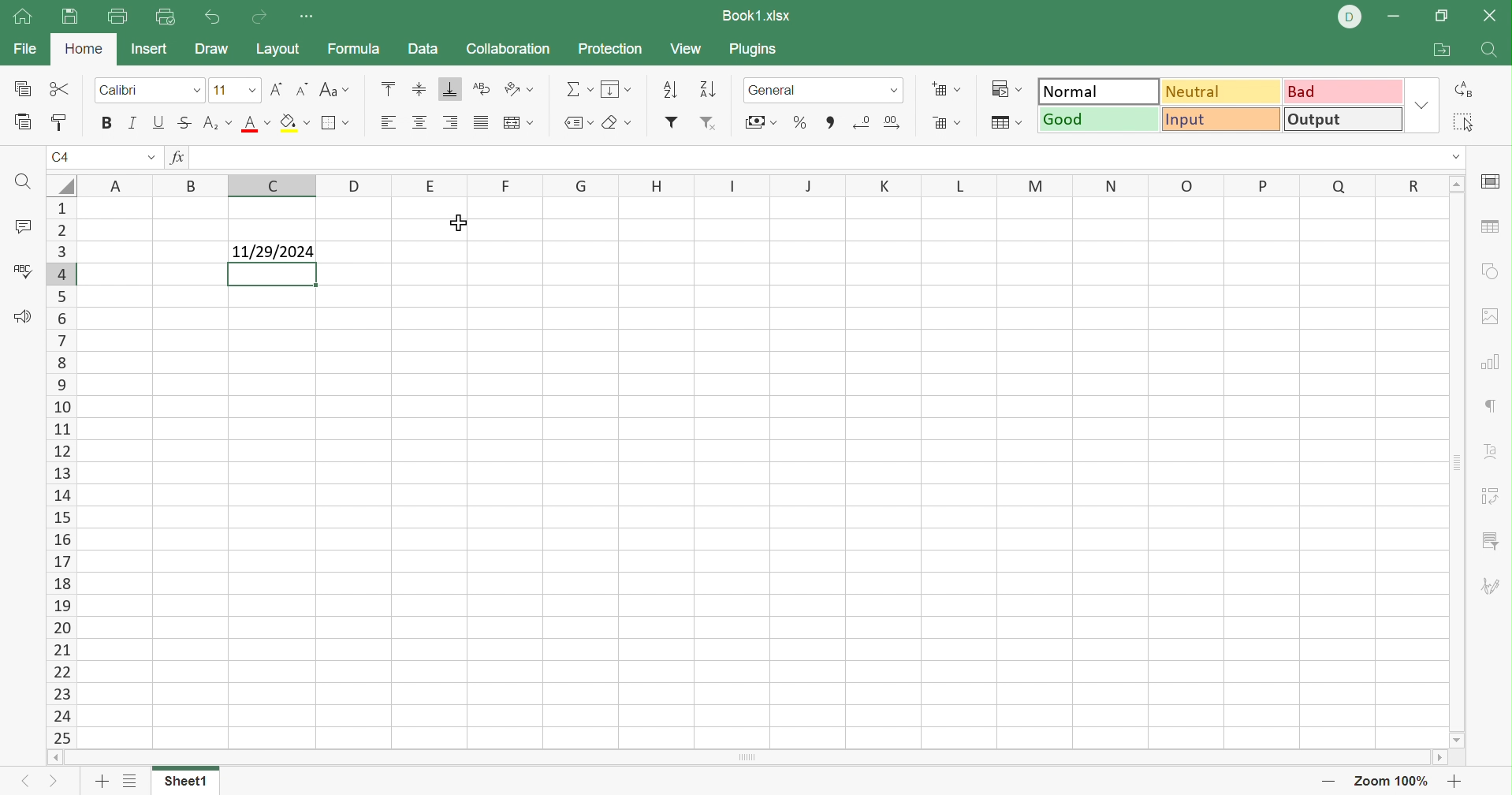 This screenshot has height=795, width=1512. Describe the element at coordinates (1439, 48) in the screenshot. I see `Open file location` at that location.